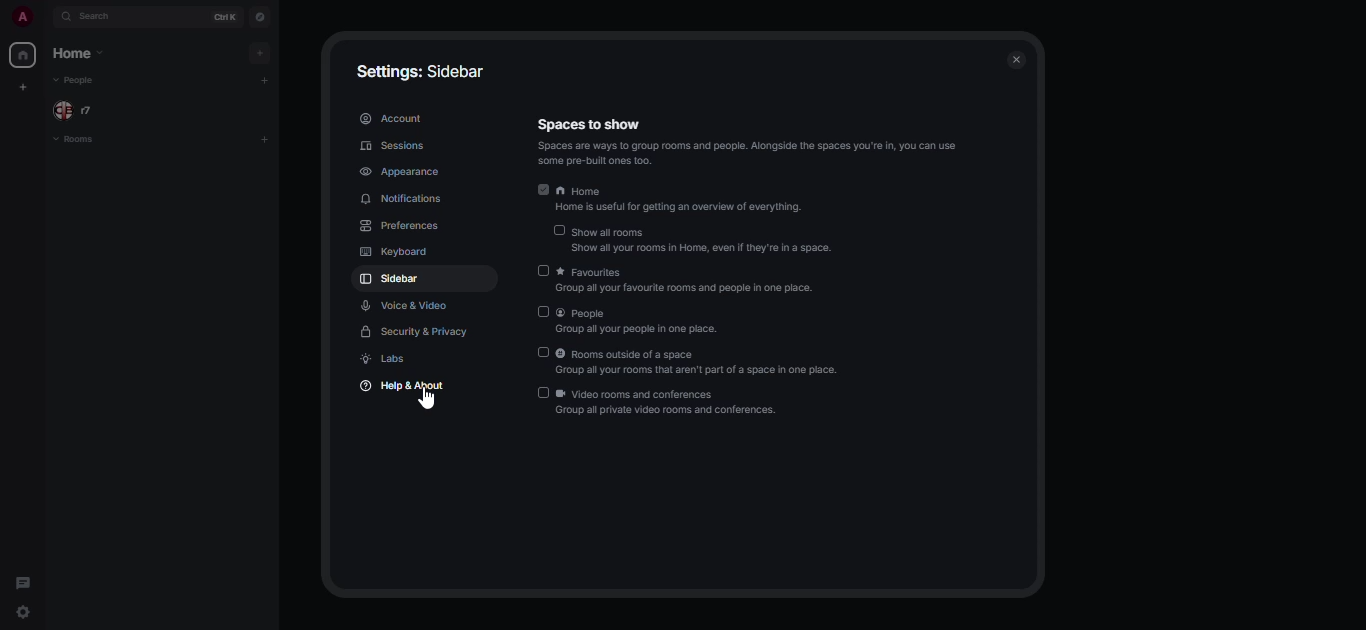 The width and height of the screenshot is (1366, 630). What do you see at coordinates (25, 612) in the screenshot?
I see `quick settings` at bounding box center [25, 612].